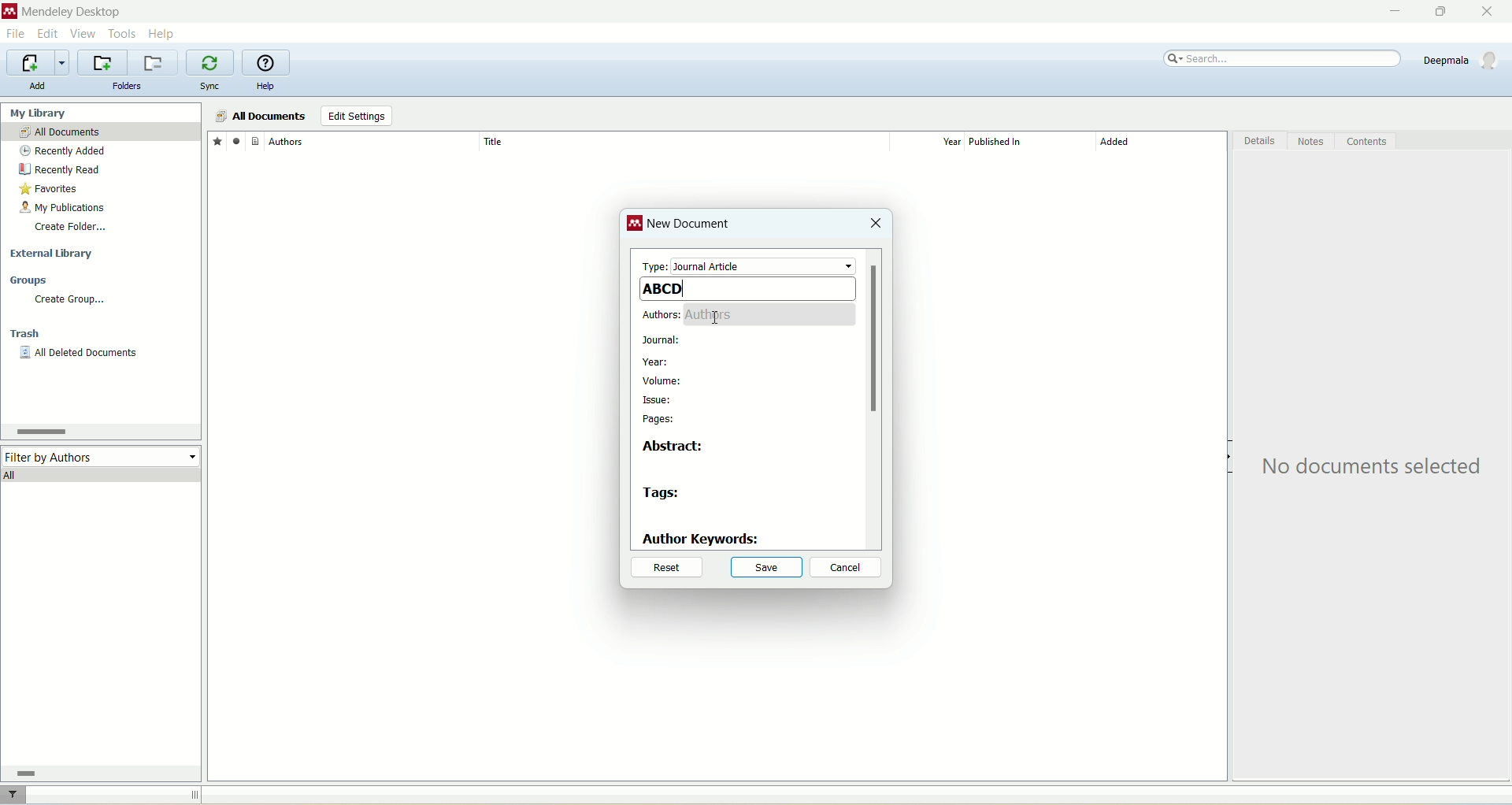 Image resolution: width=1512 pixels, height=805 pixels. I want to click on mendeley desktop, so click(69, 13).